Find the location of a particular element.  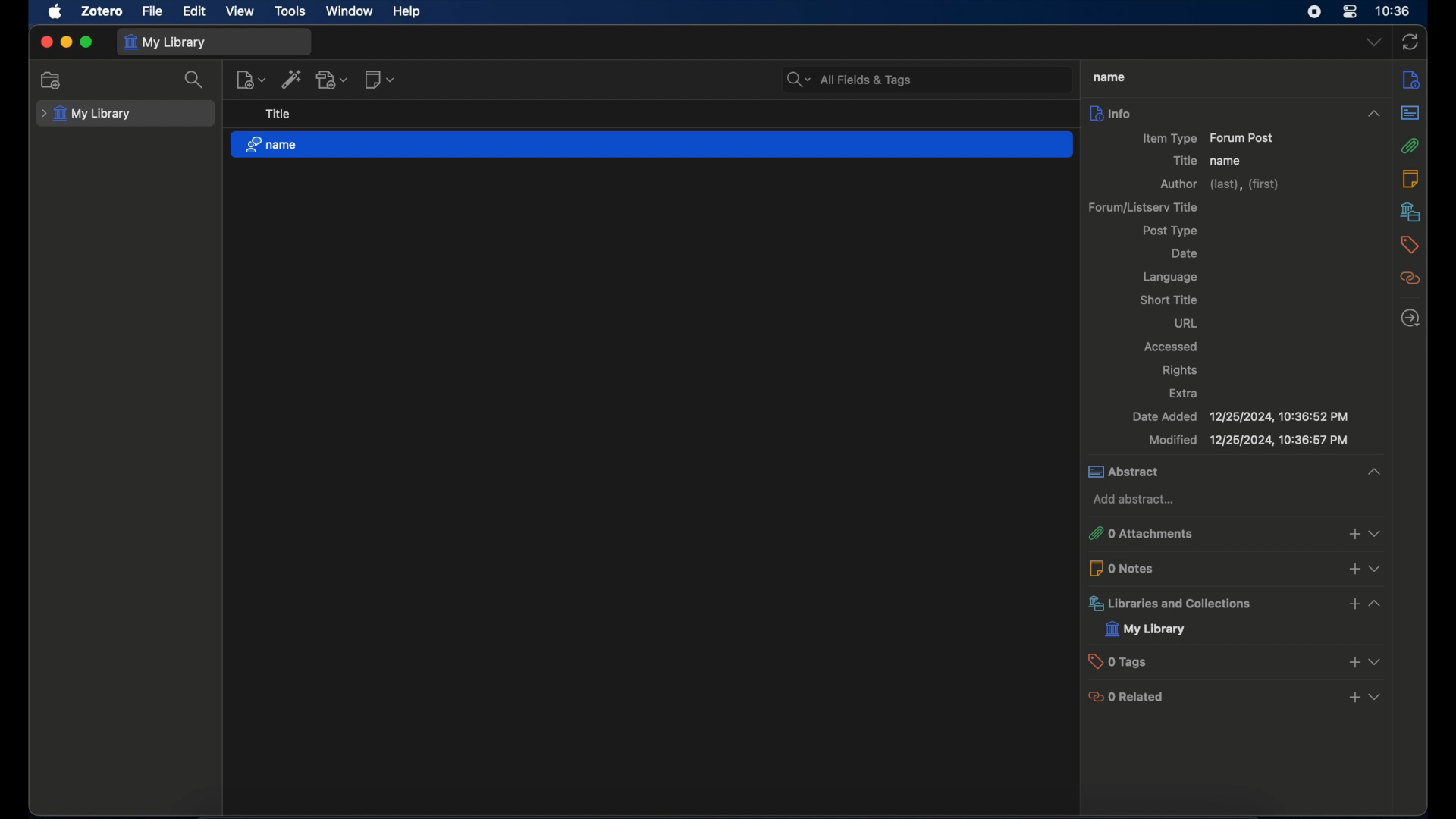

close is located at coordinates (46, 42).